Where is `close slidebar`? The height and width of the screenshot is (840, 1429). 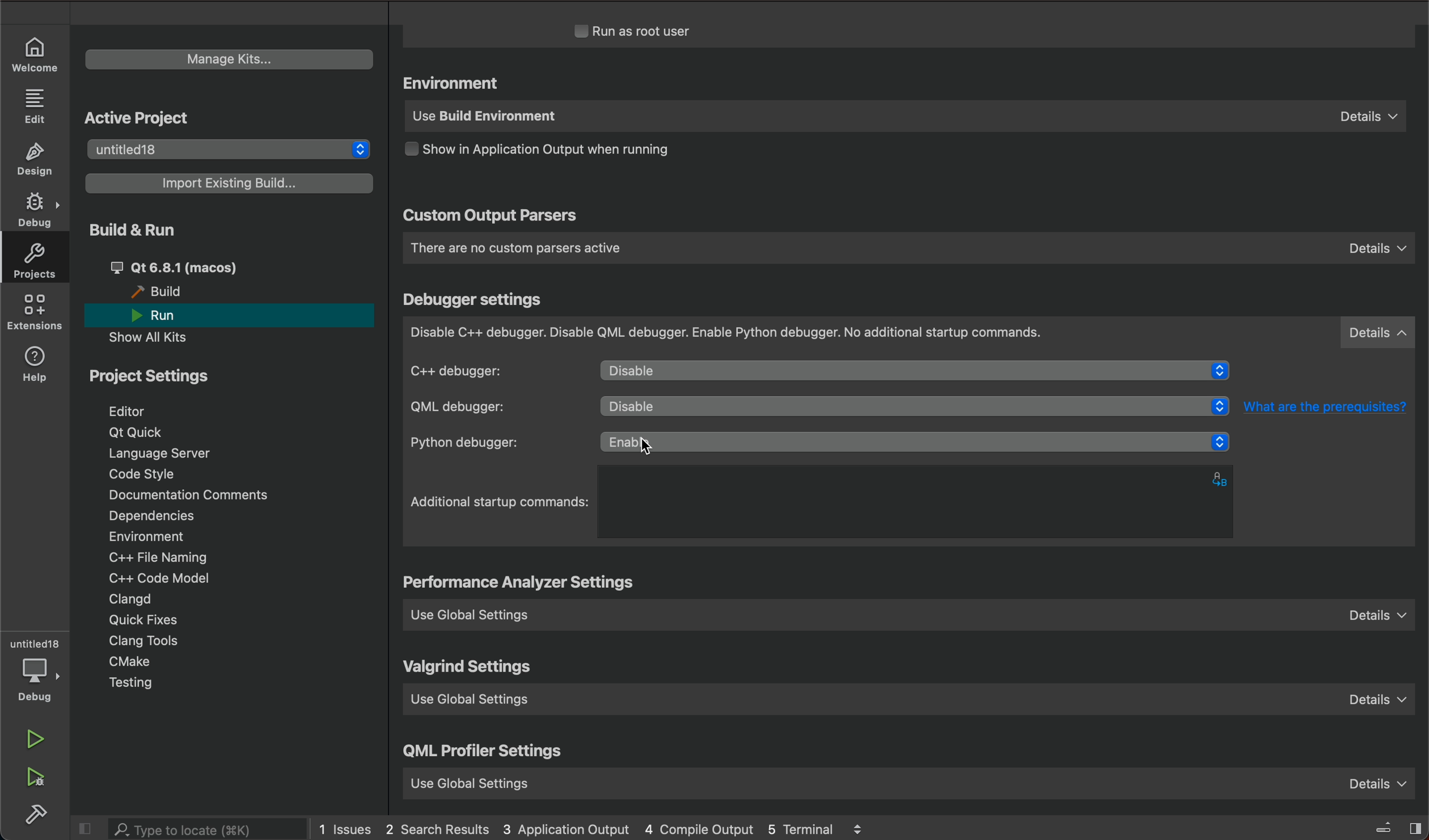
close slidebar is located at coordinates (1384, 826).